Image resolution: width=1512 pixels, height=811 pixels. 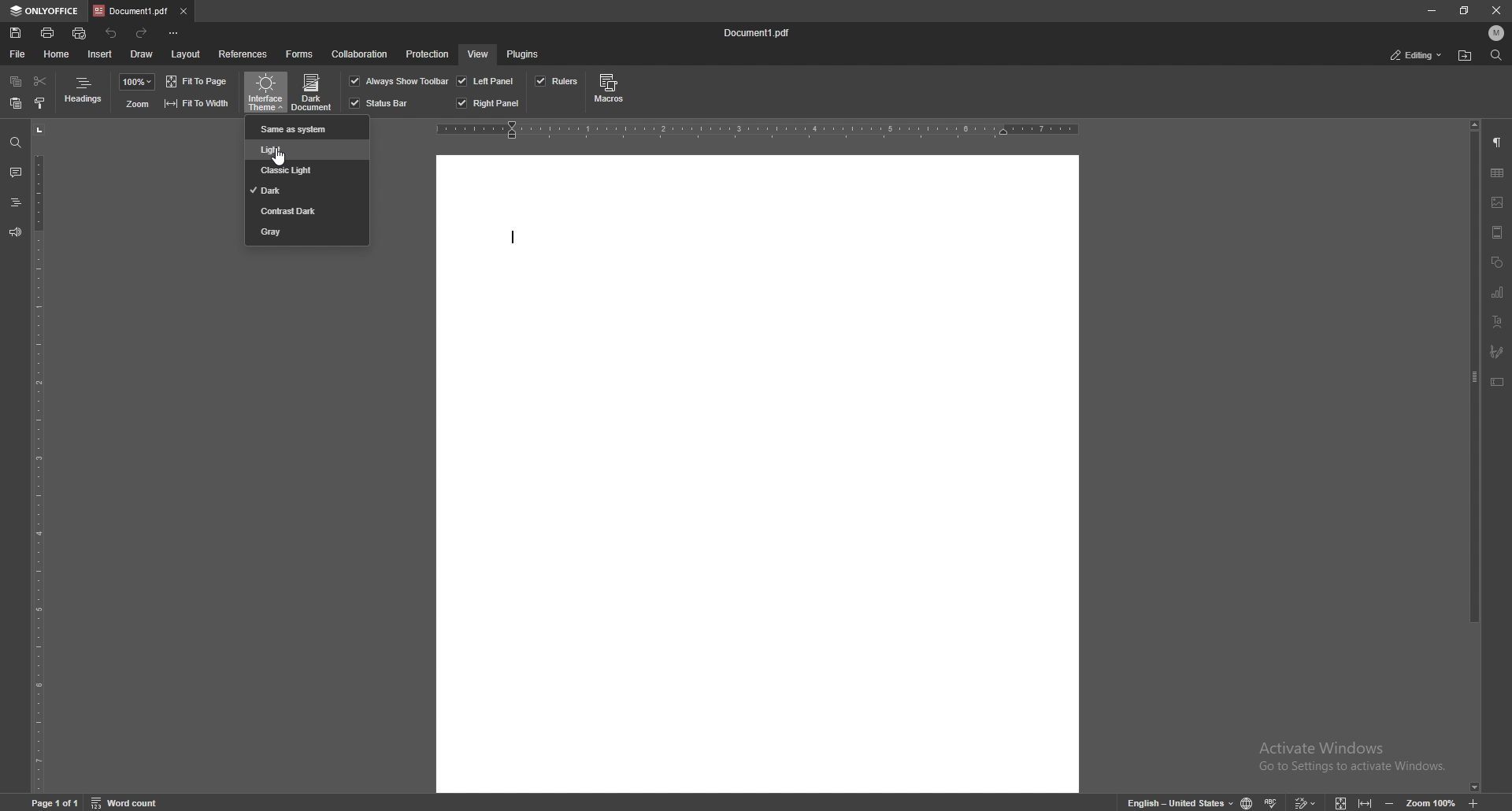 I want to click on spell check, so click(x=1273, y=802).